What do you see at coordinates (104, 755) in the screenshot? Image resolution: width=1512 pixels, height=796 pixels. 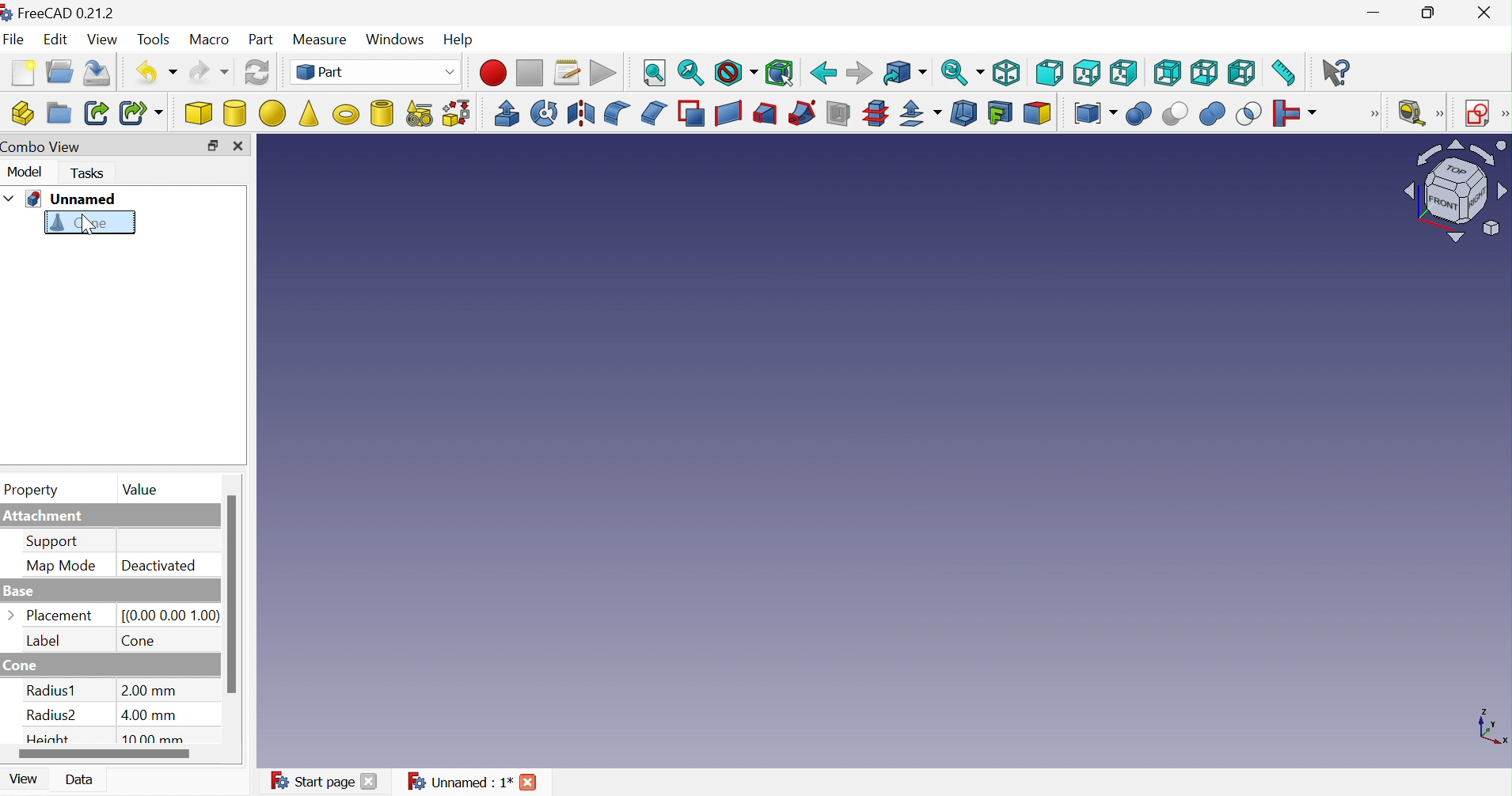 I see `Scroll bar` at bounding box center [104, 755].